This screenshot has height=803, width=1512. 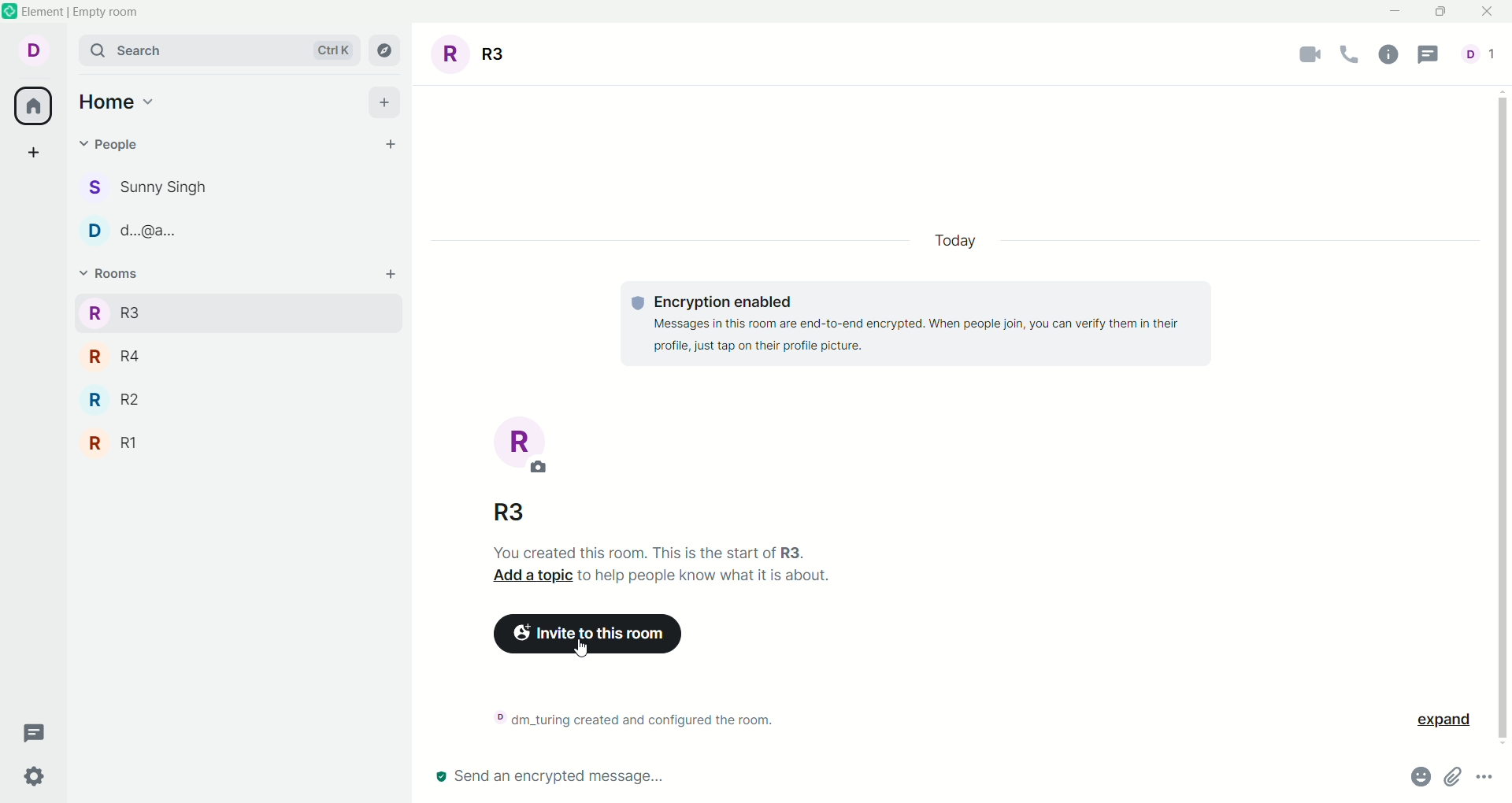 I want to click on room info, so click(x=1388, y=56).